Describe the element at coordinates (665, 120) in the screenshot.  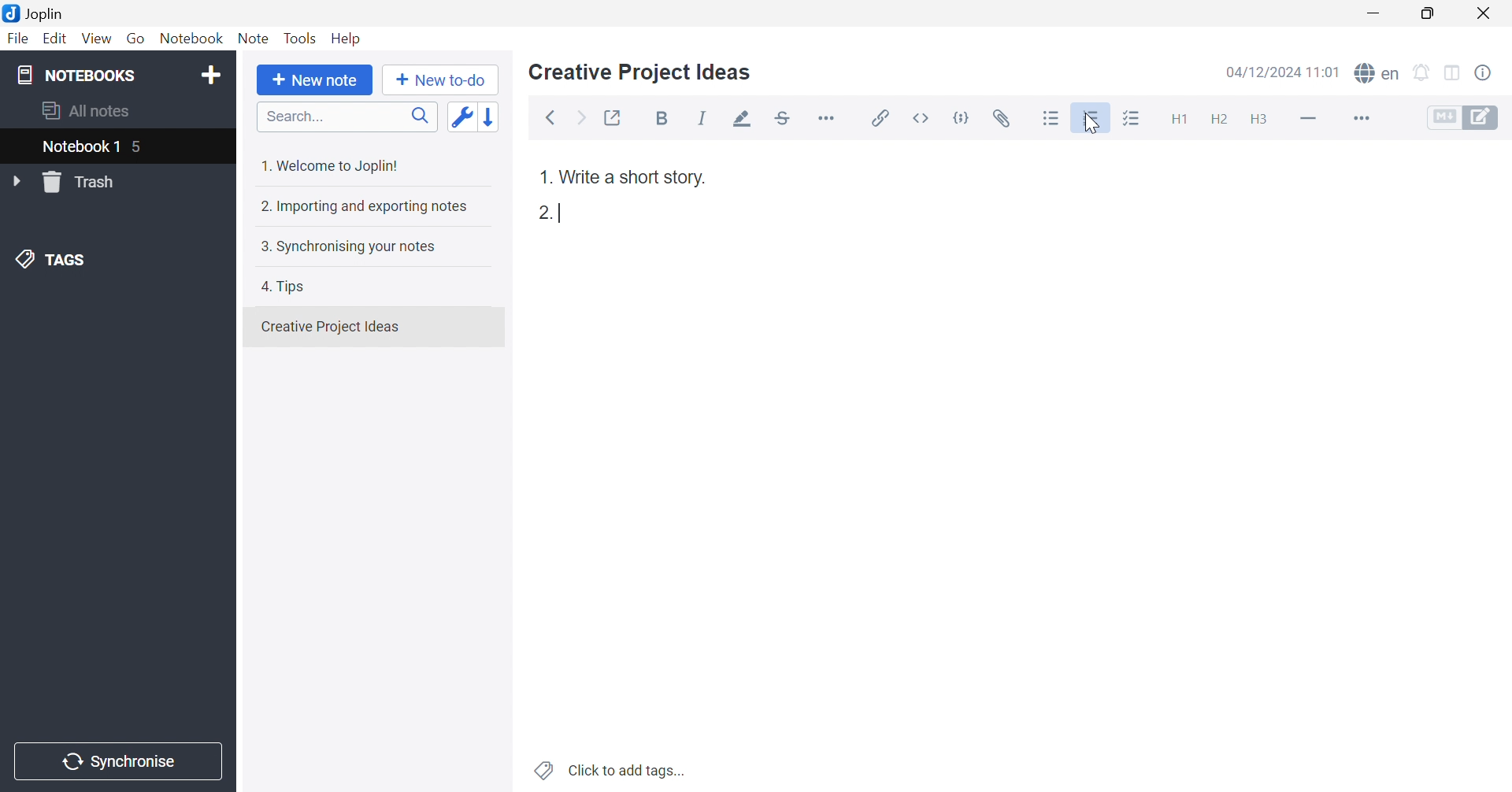
I see `Bold` at that location.